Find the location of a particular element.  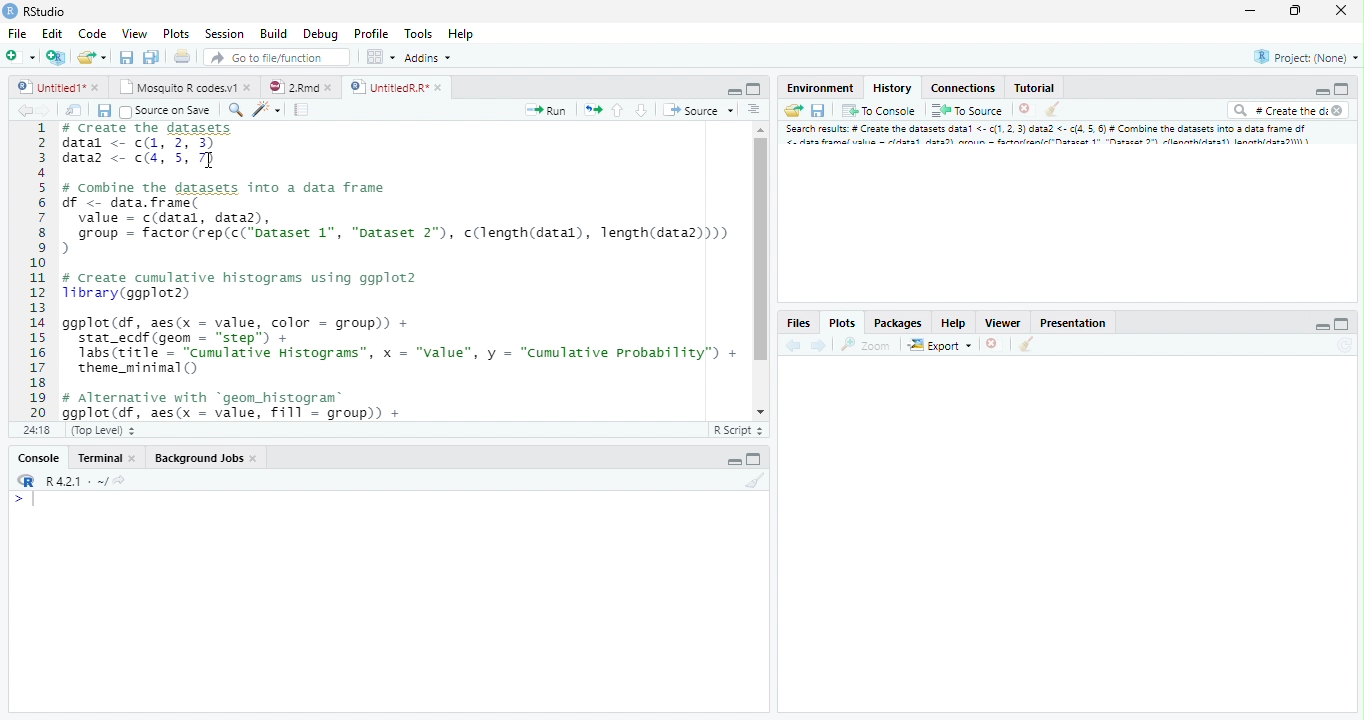

1:1 is located at coordinates (41, 430).